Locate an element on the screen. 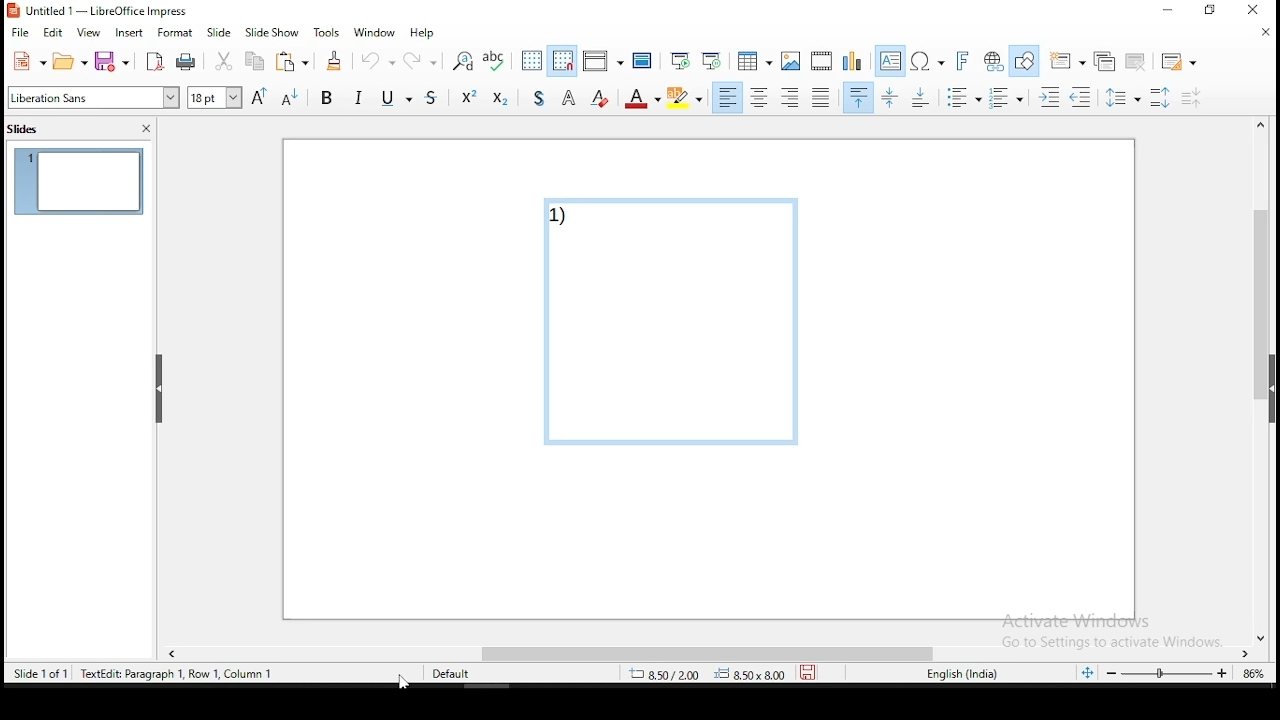 This screenshot has height=720, width=1280. view is located at coordinates (88, 33).